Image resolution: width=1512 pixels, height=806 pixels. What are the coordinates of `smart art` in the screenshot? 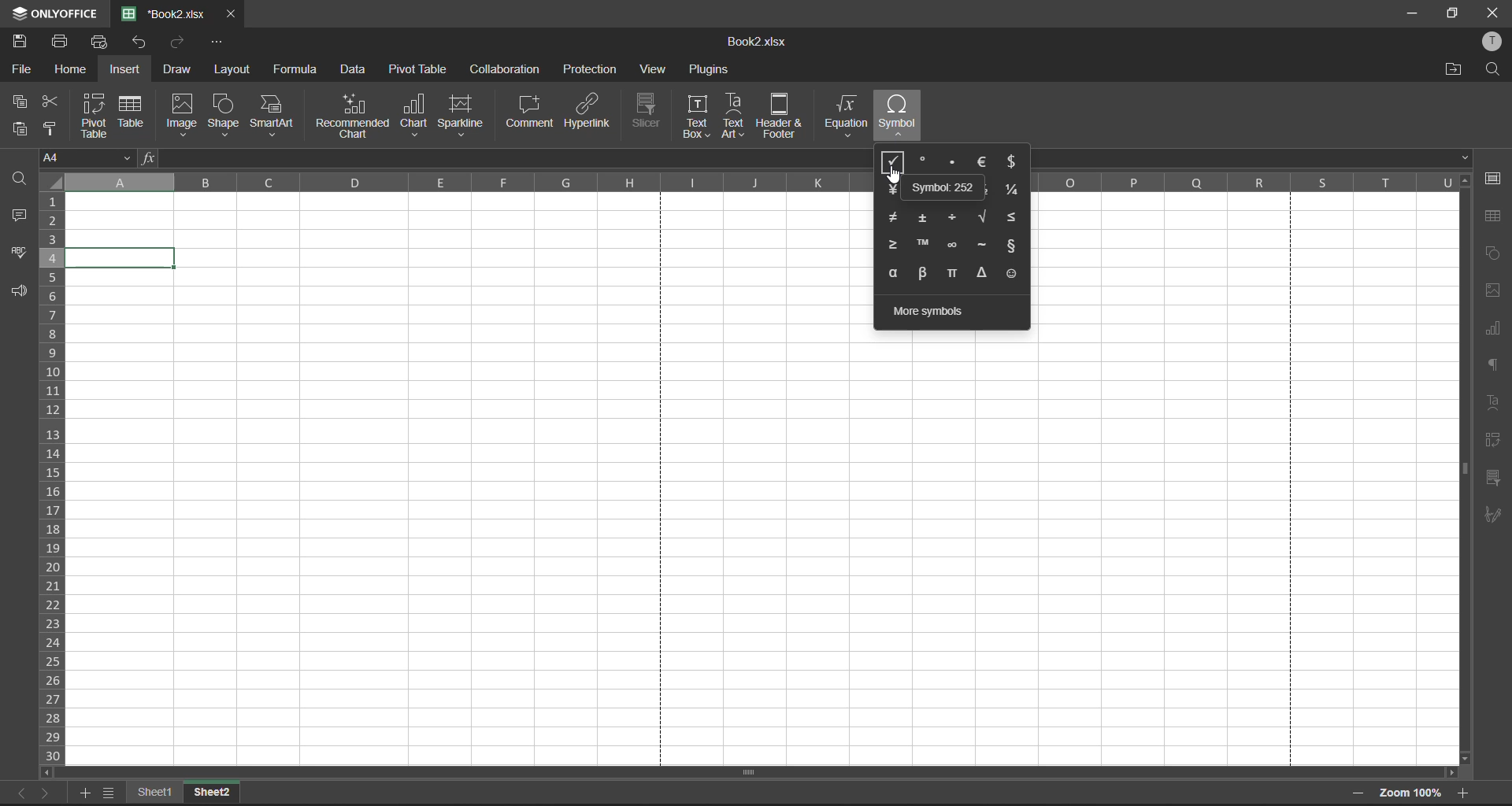 It's located at (276, 116).